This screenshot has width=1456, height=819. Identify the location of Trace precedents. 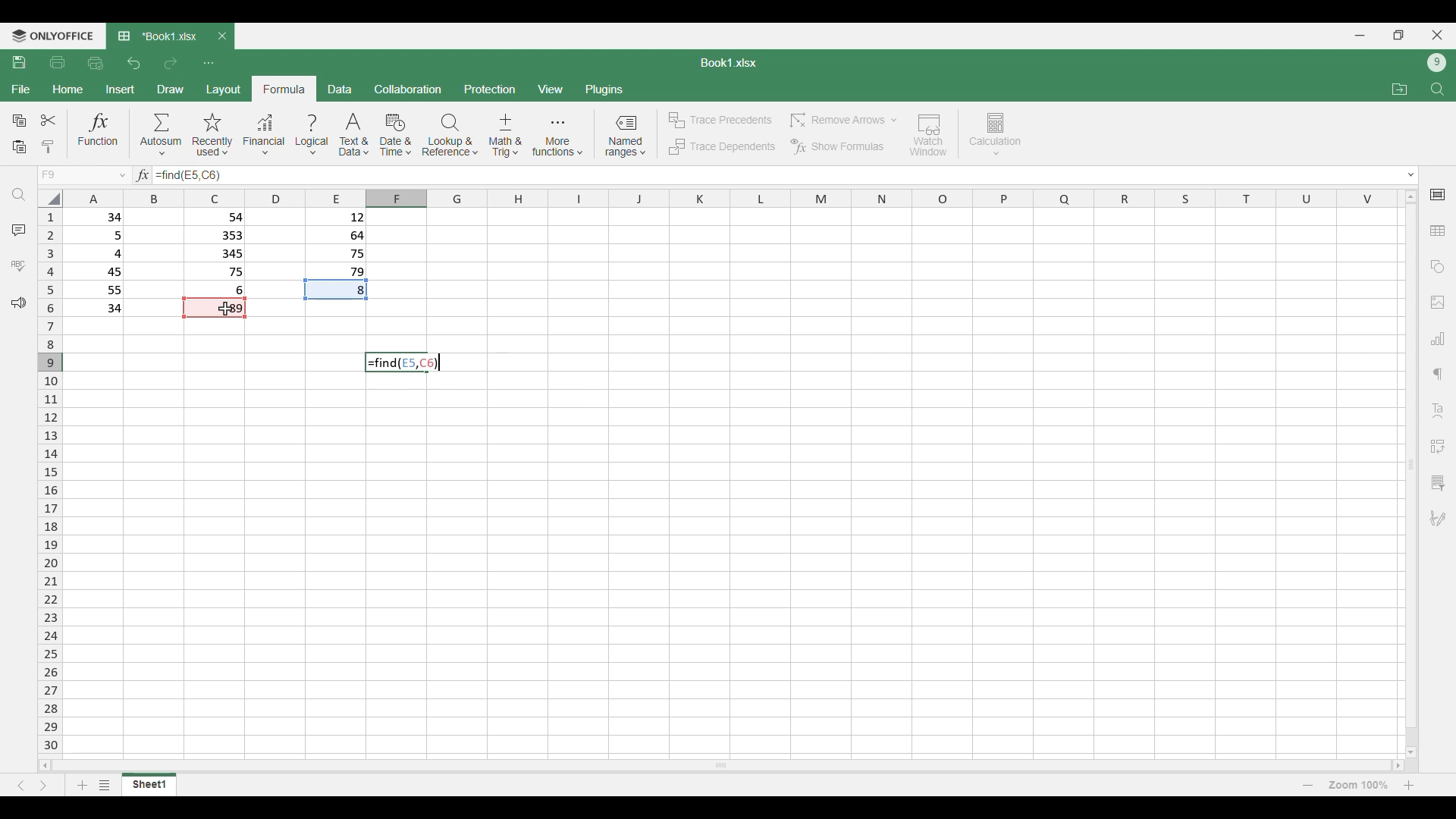
(719, 121).